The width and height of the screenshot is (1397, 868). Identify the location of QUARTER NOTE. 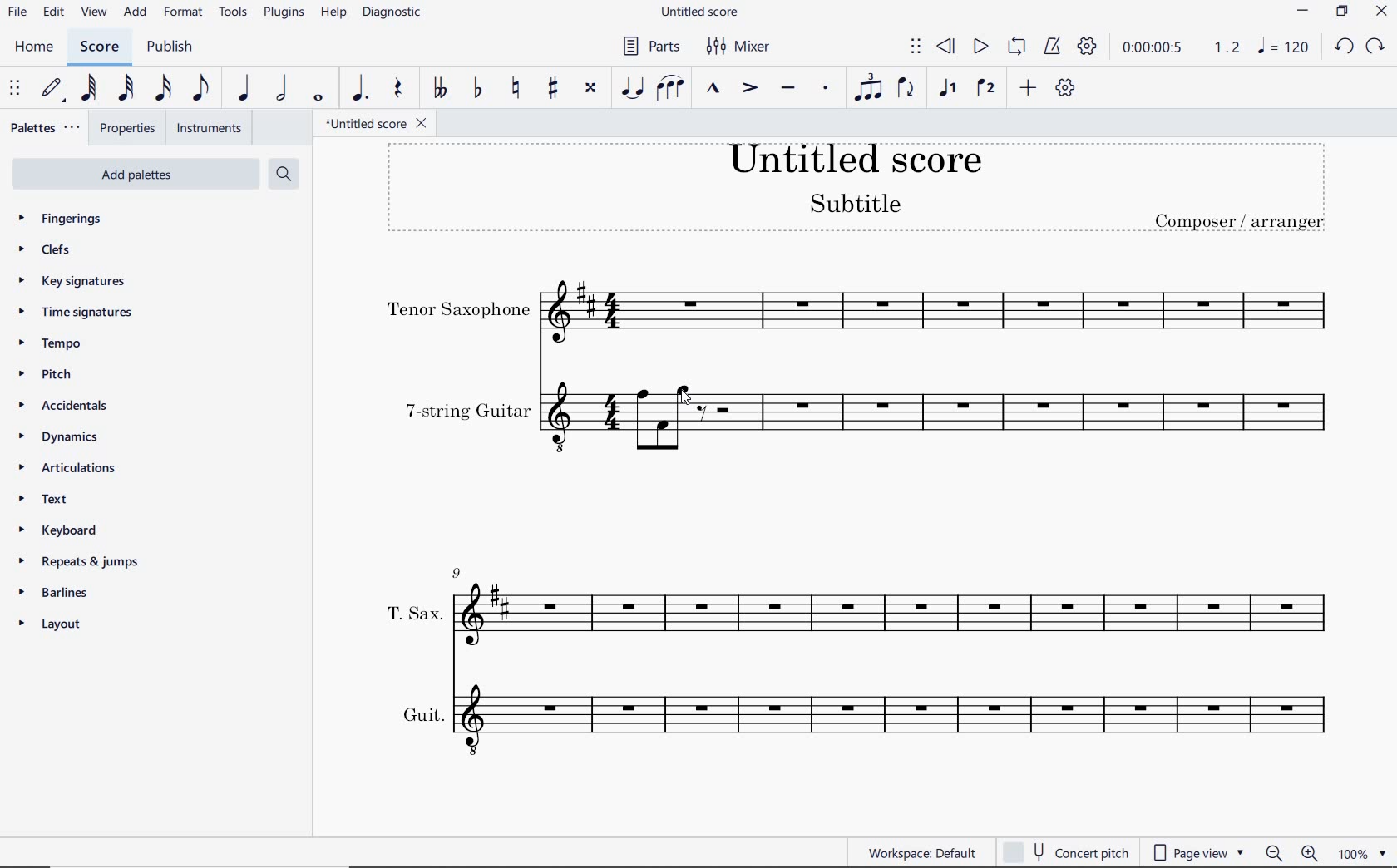
(246, 89).